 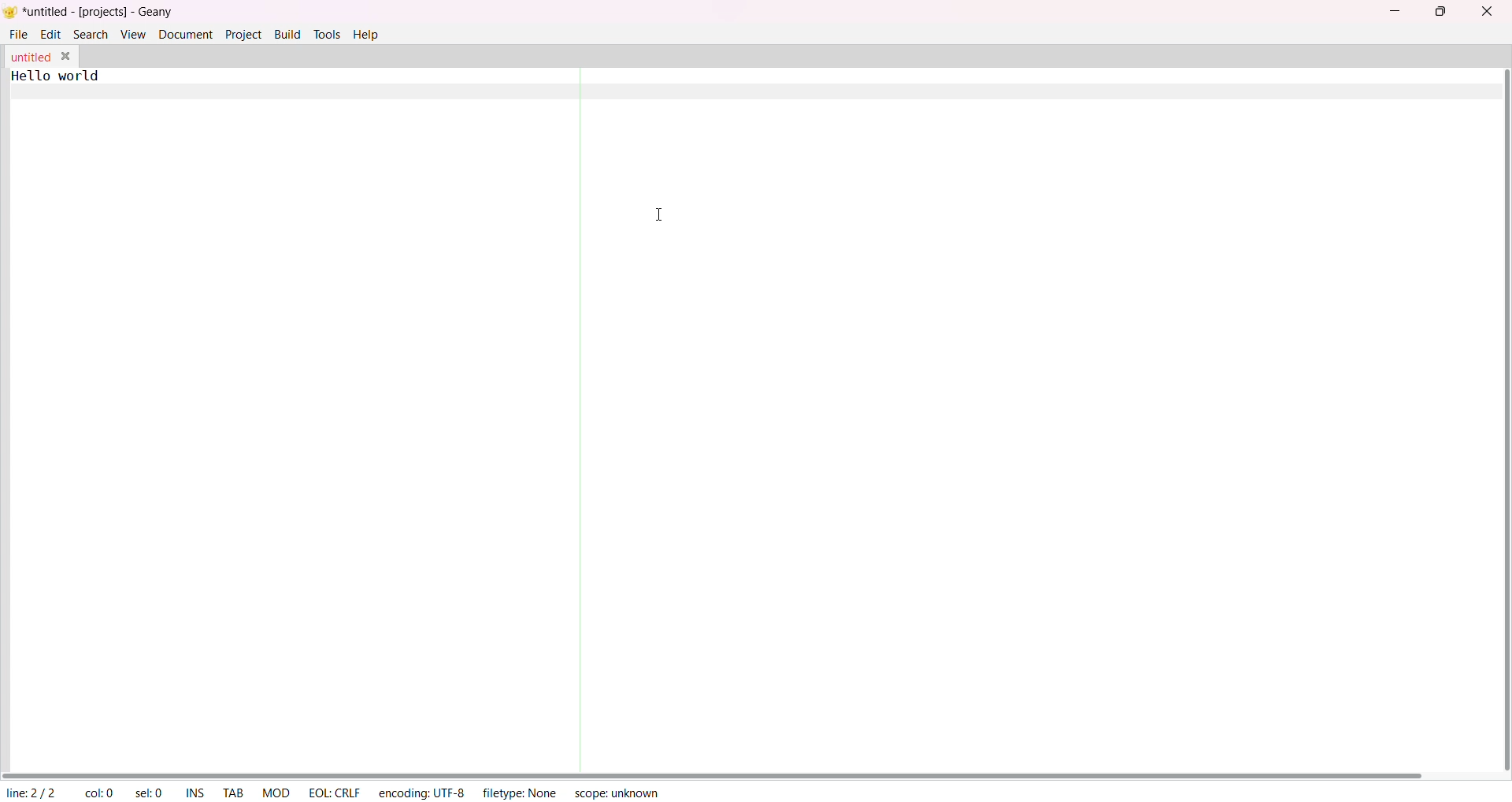 I want to click on vertical scroll bar, so click(x=1501, y=420).